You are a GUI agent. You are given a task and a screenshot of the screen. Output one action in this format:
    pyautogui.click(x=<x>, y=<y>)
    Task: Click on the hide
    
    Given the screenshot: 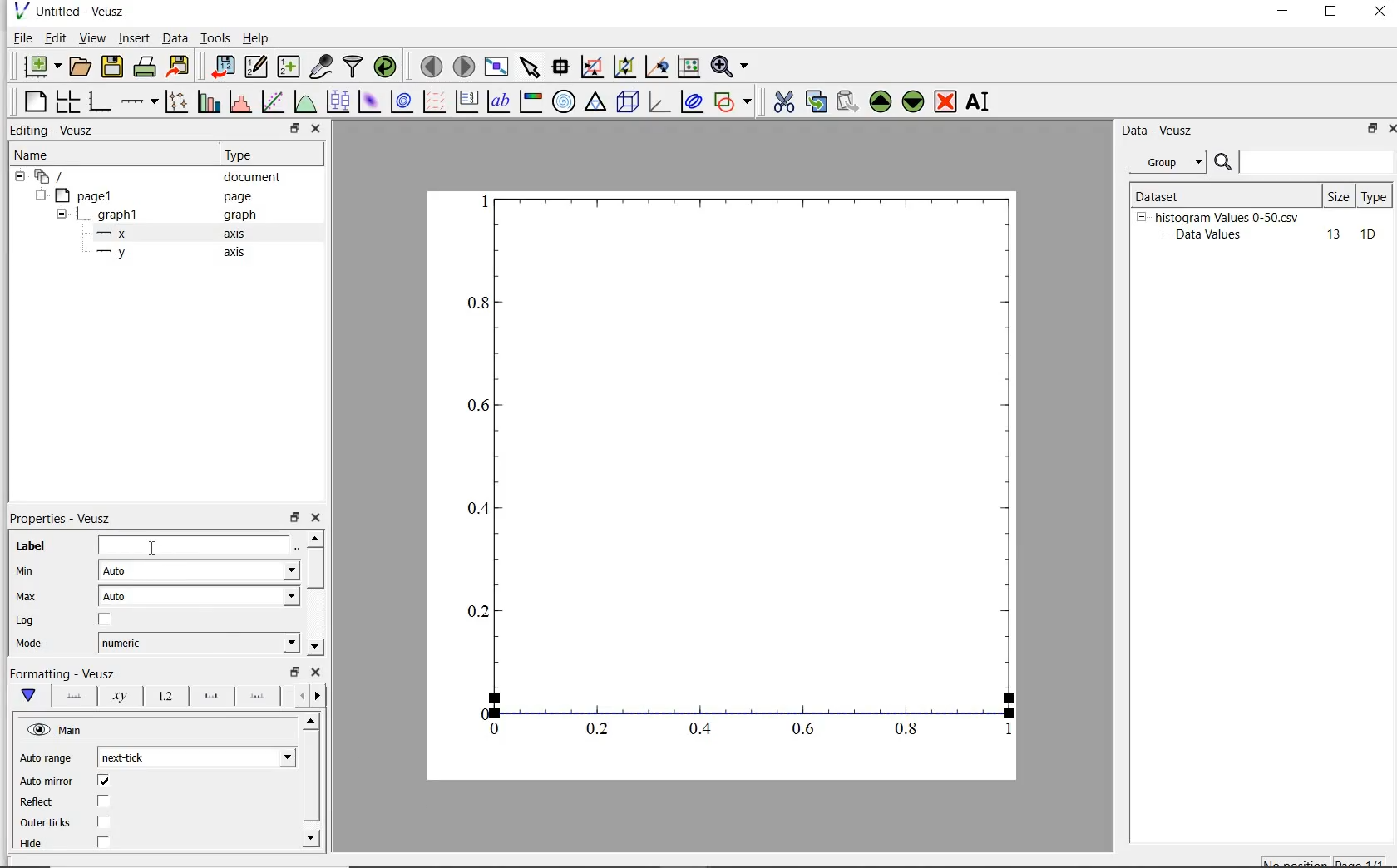 What is the action you would take?
    pyautogui.click(x=20, y=177)
    